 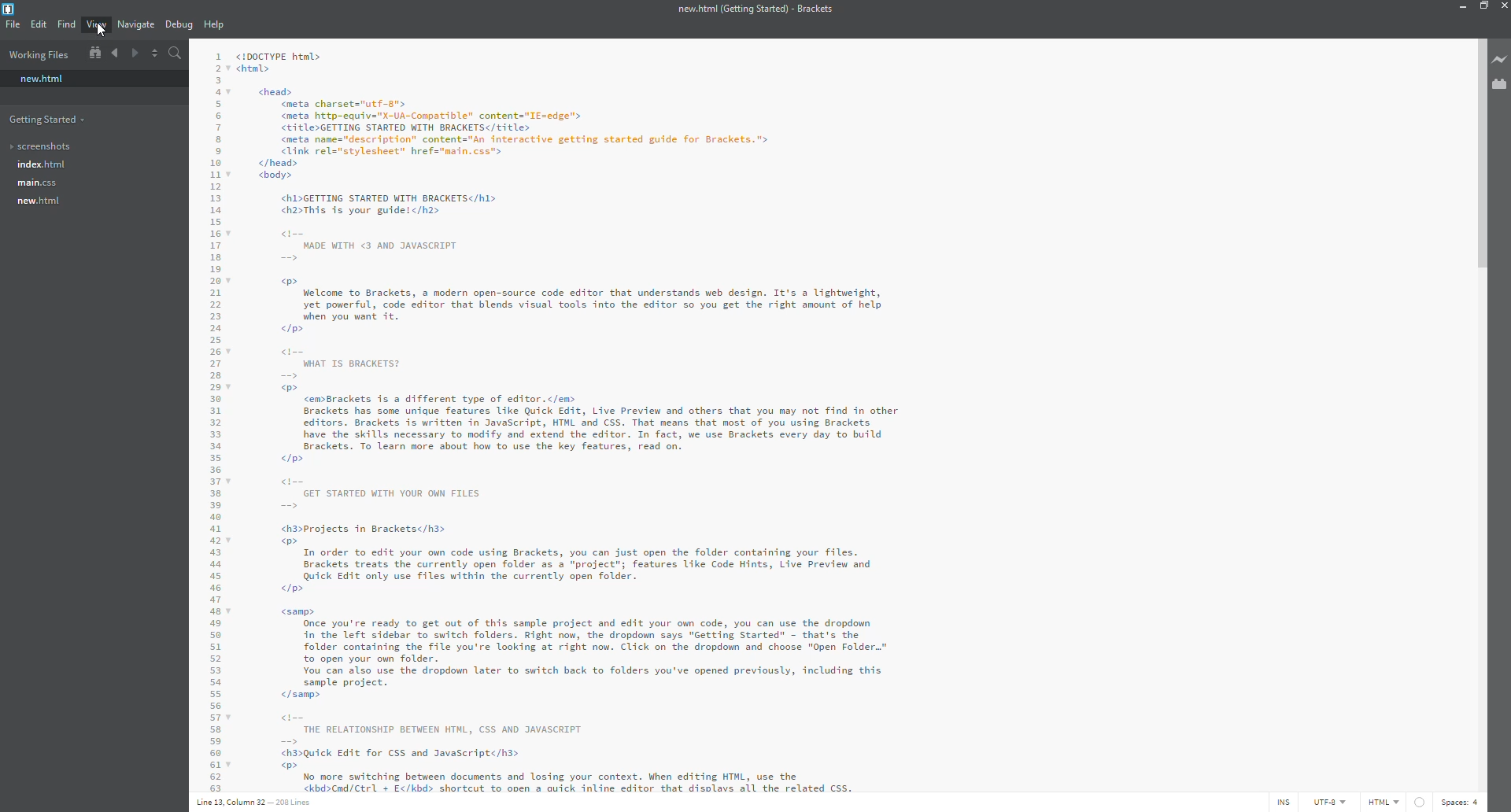 What do you see at coordinates (40, 146) in the screenshot?
I see `screenshots` at bounding box center [40, 146].